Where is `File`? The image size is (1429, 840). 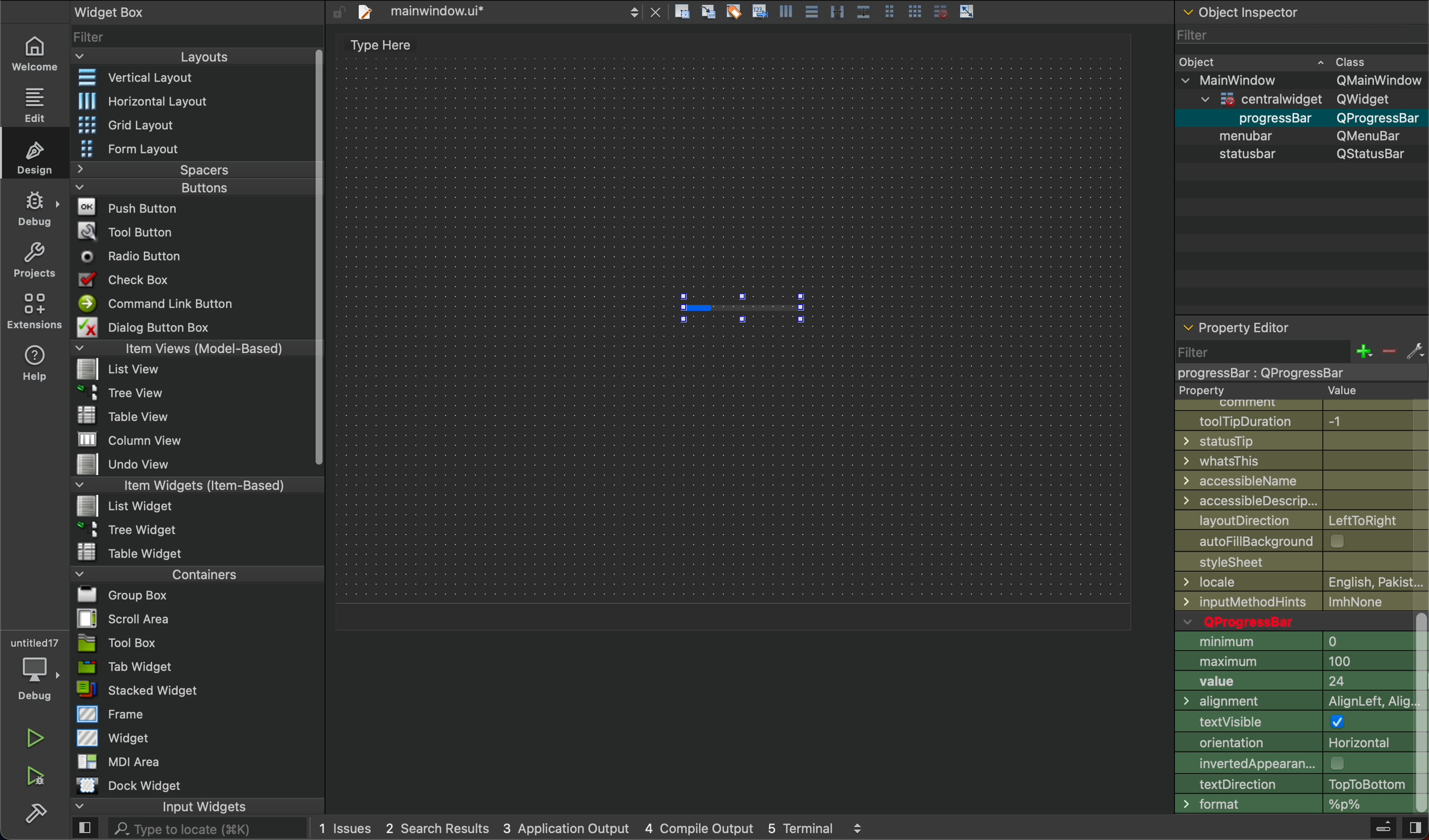
File is located at coordinates (129, 415).